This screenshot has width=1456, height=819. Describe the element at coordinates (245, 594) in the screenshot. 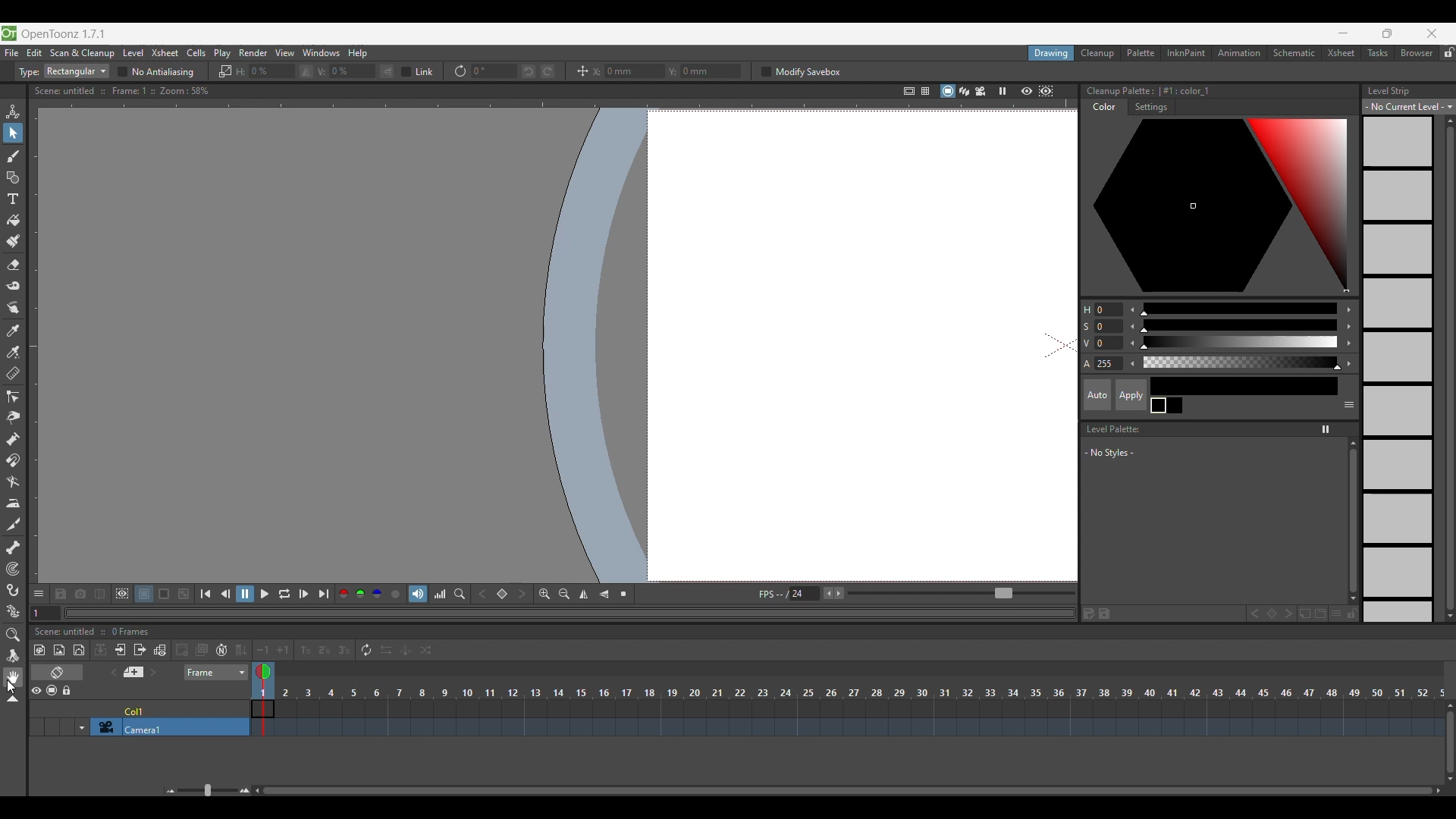

I see `Pause` at that location.